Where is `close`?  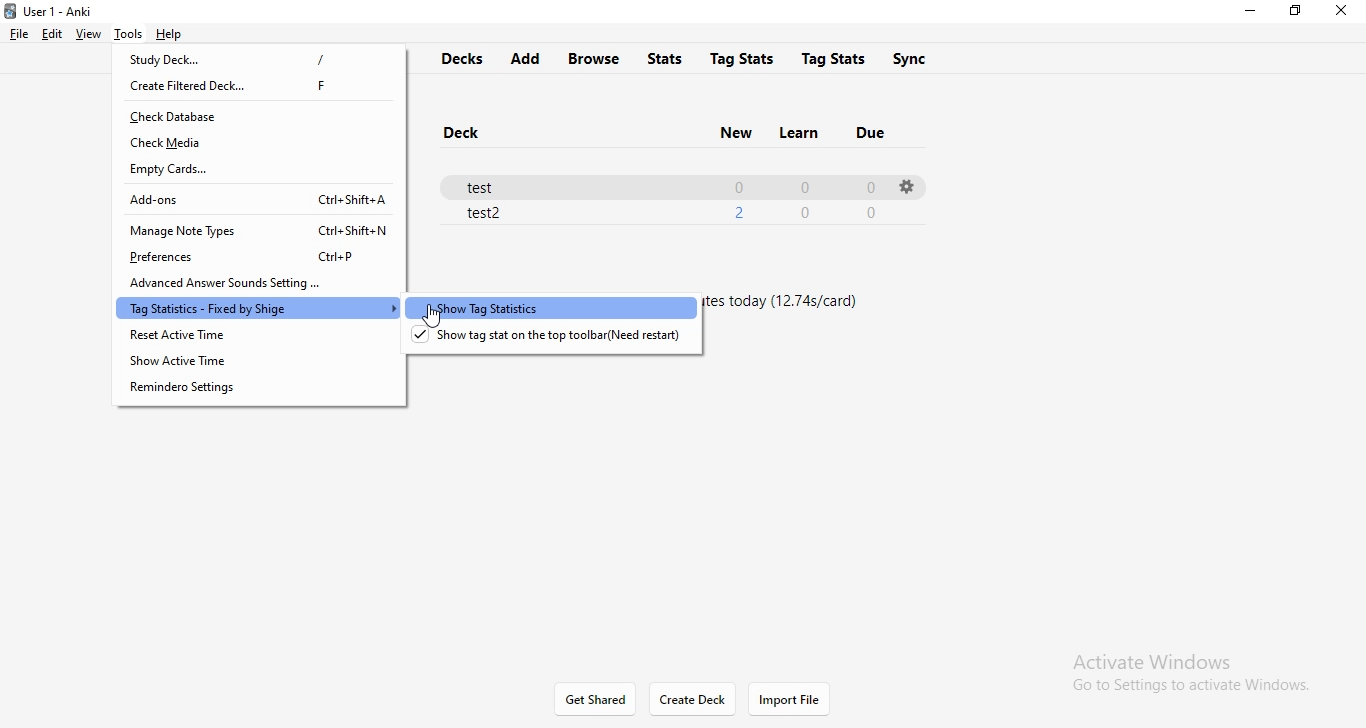 close is located at coordinates (1342, 11).